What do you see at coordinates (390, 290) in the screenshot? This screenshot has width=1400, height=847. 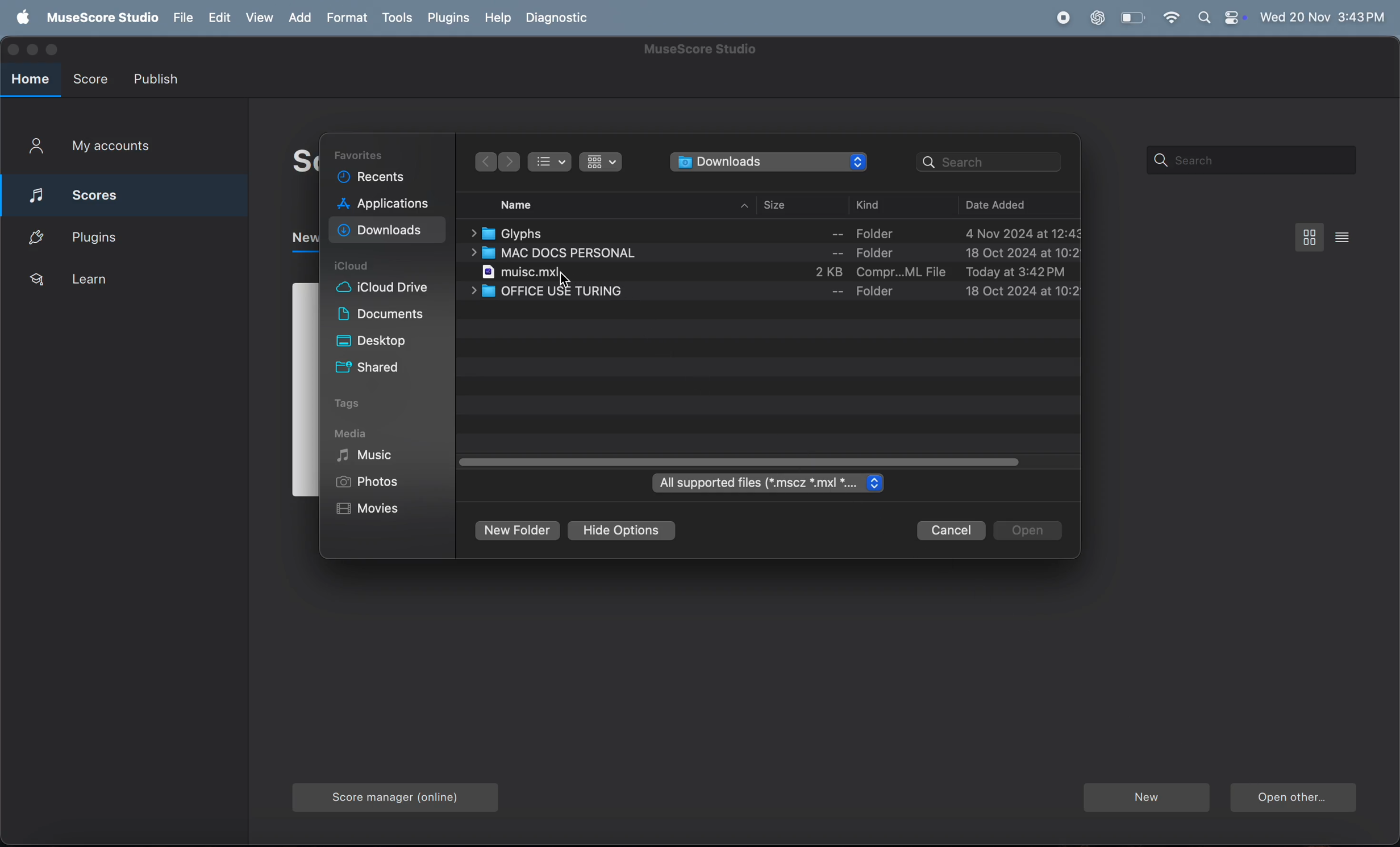 I see `i cloud drive` at bounding box center [390, 290].